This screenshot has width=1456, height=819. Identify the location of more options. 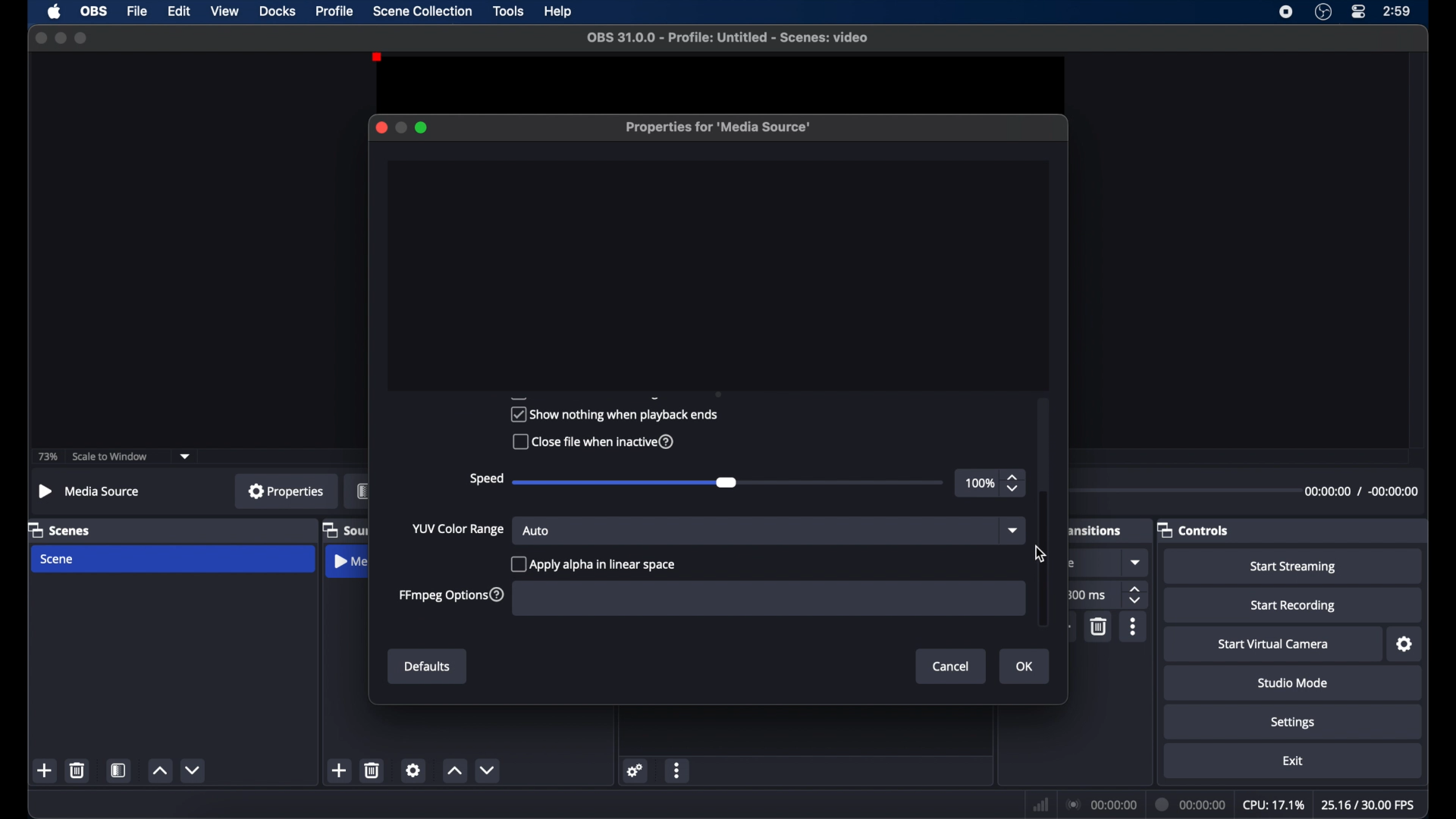
(1134, 627).